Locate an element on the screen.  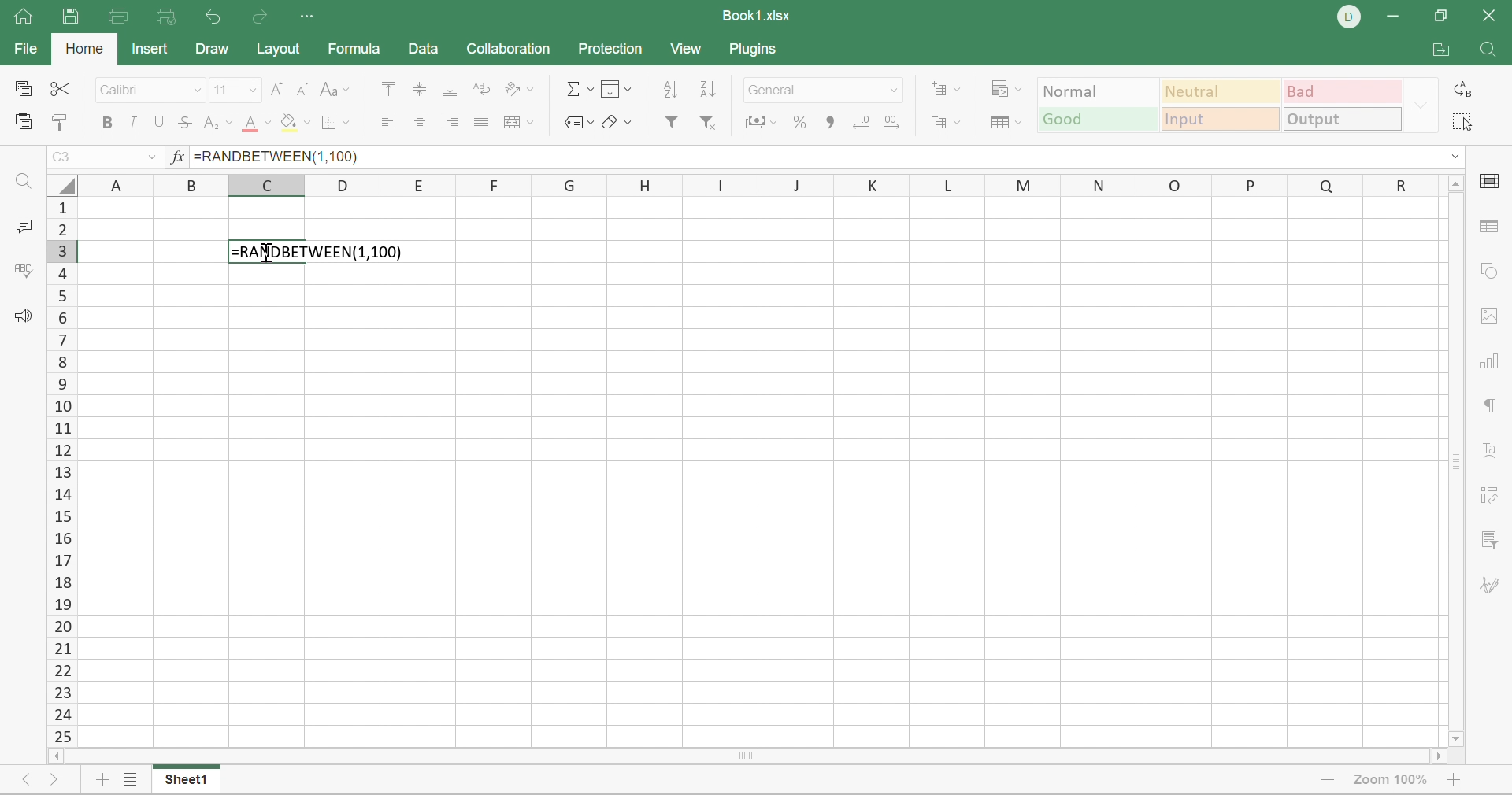
Layout is located at coordinates (277, 50).